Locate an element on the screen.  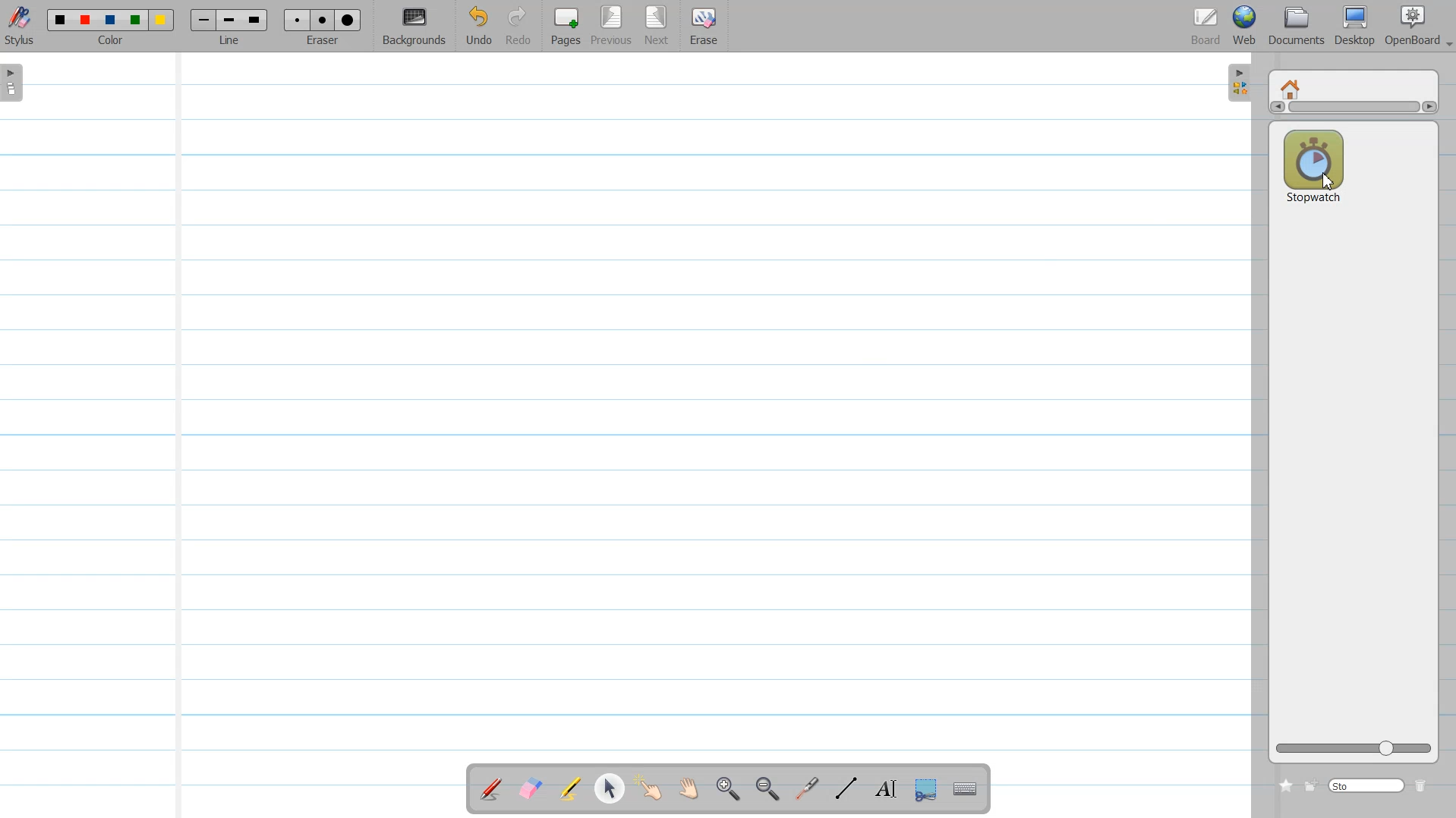
Virtual laser pointer is located at coordinates (809, 789).